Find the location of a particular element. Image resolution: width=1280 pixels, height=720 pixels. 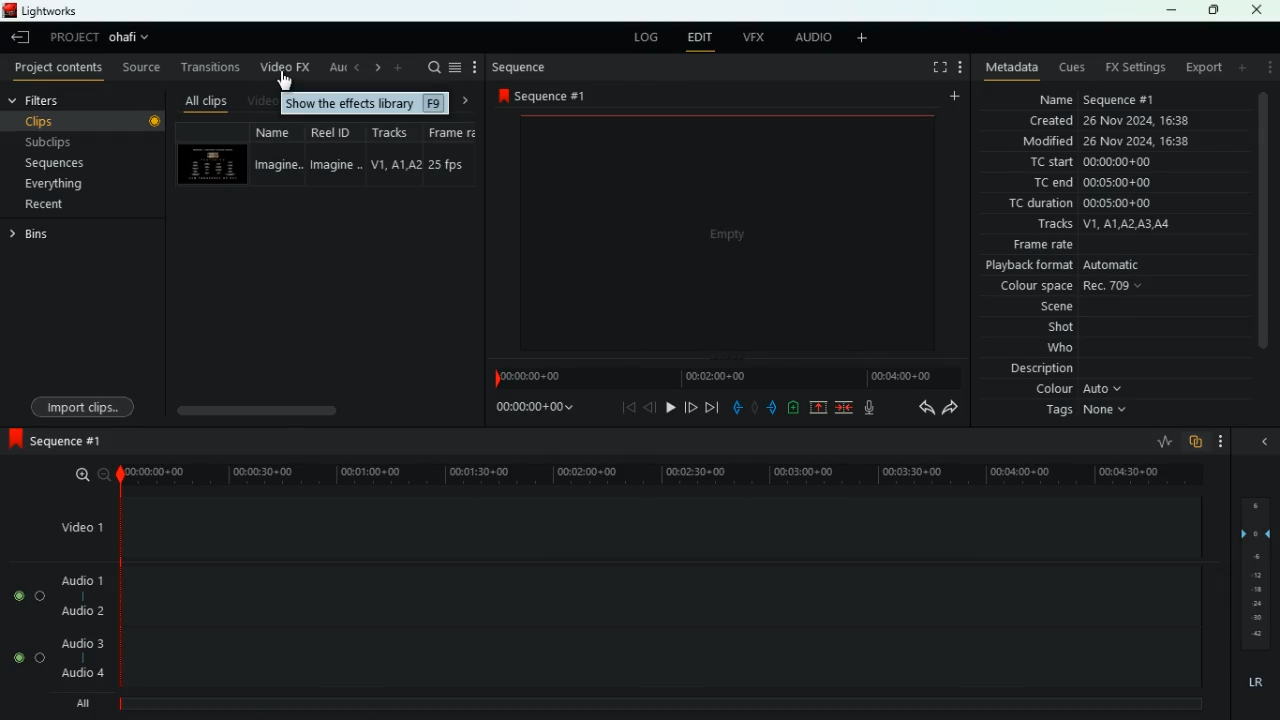

back is located at coordinates (630, 408).